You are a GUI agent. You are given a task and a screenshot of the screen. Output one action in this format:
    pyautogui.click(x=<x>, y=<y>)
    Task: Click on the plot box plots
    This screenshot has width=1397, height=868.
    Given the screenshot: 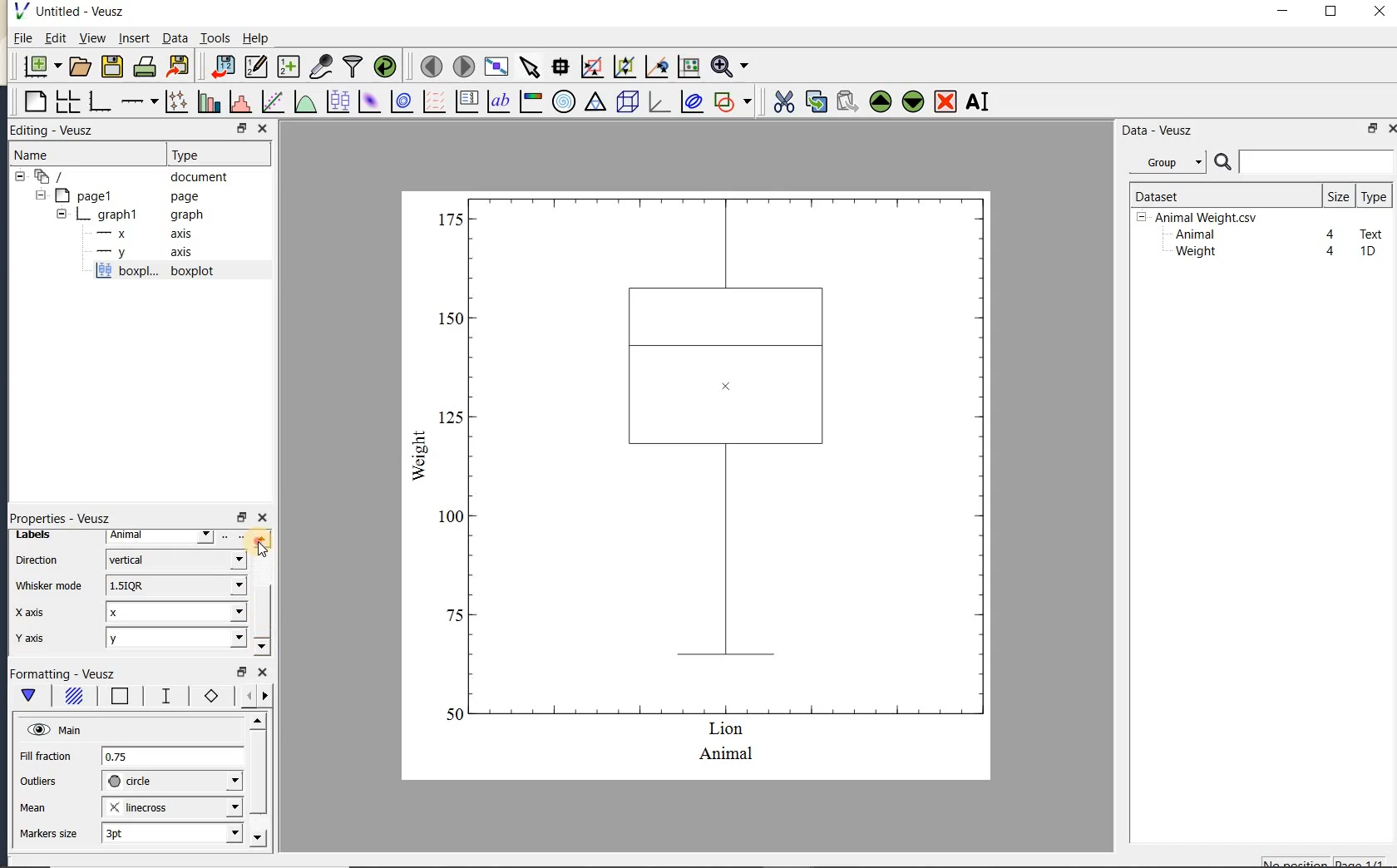 What is the action you would take?
    pyautogui.click(x=335, y=102)
    